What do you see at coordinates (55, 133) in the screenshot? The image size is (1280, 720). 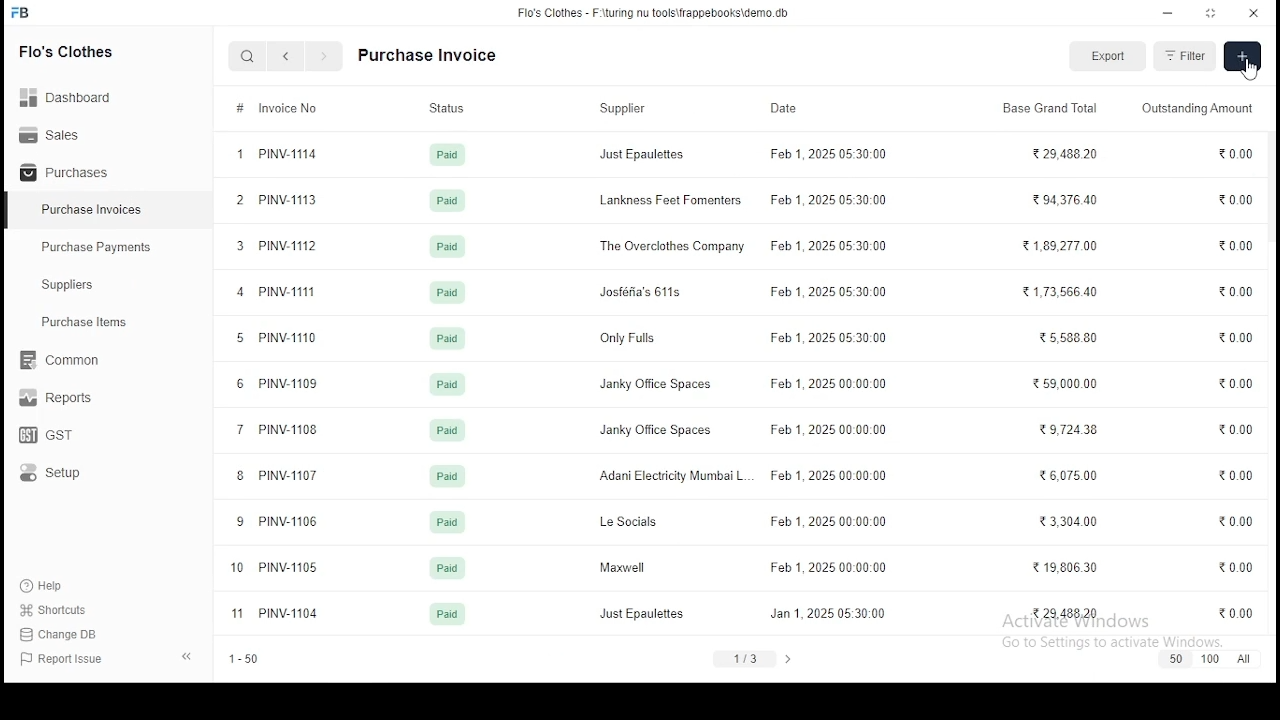 I see `Sales` at bounding box center [55, 133].